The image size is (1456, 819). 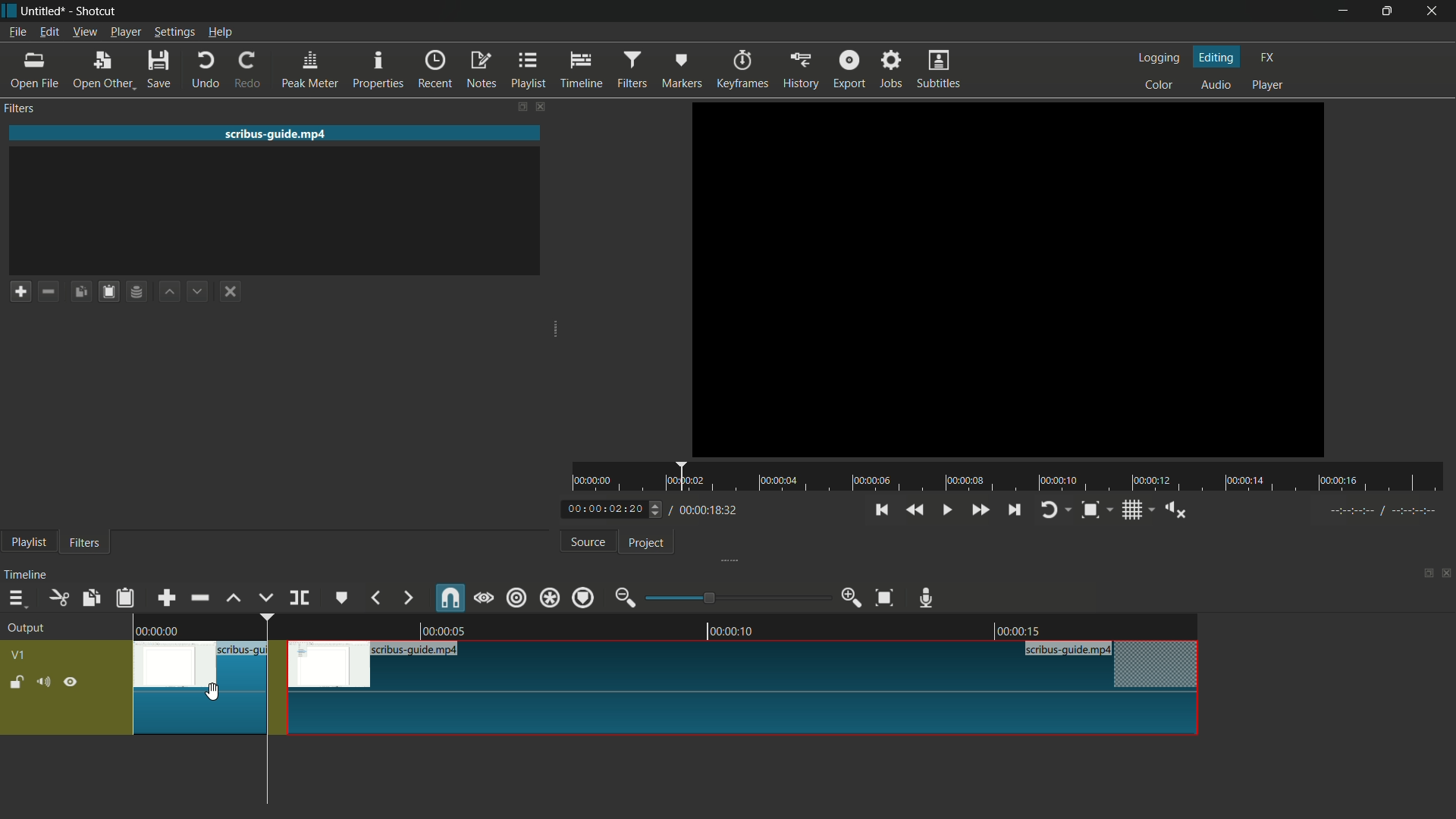 I want to click on ripple delete, so click(x=199, y=598).